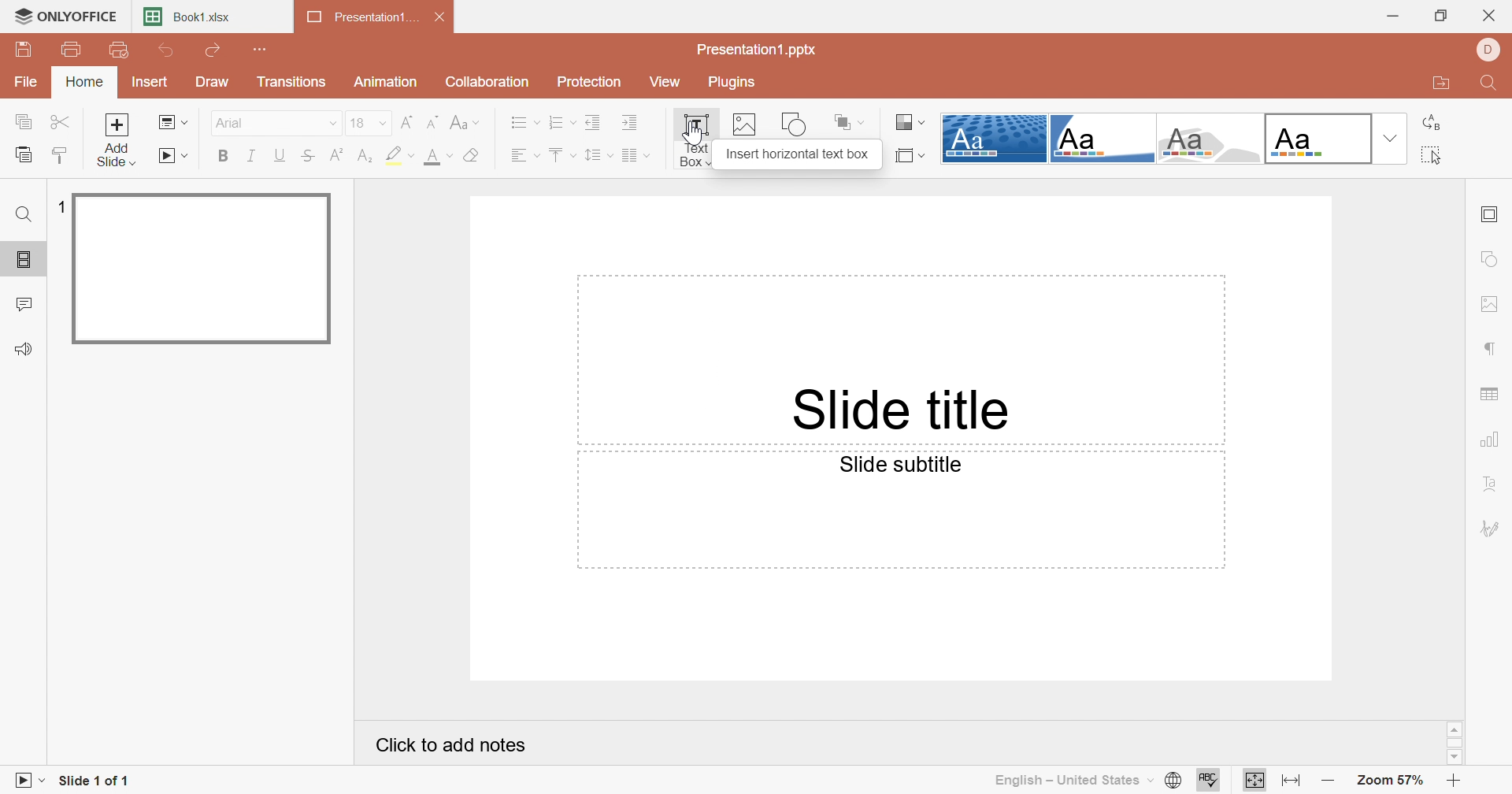 Image resolution: width=1512 pixels, height=794 pixels. I want to click on Transitions, so click(291, 82).